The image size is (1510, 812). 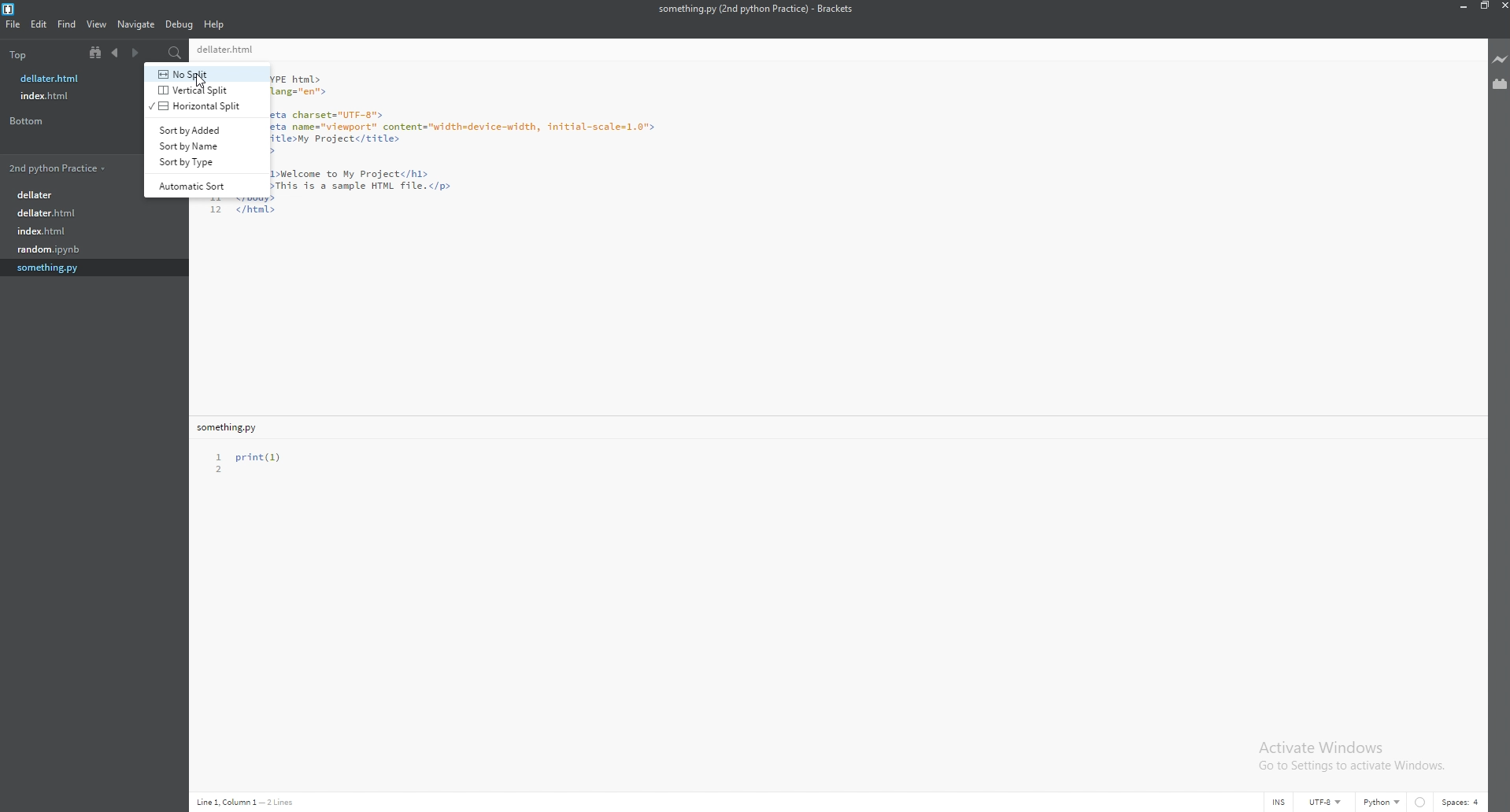 What do you see at coordinates (80, 249) in the screenshot?
I see `file` at bounding box center [80, 249].